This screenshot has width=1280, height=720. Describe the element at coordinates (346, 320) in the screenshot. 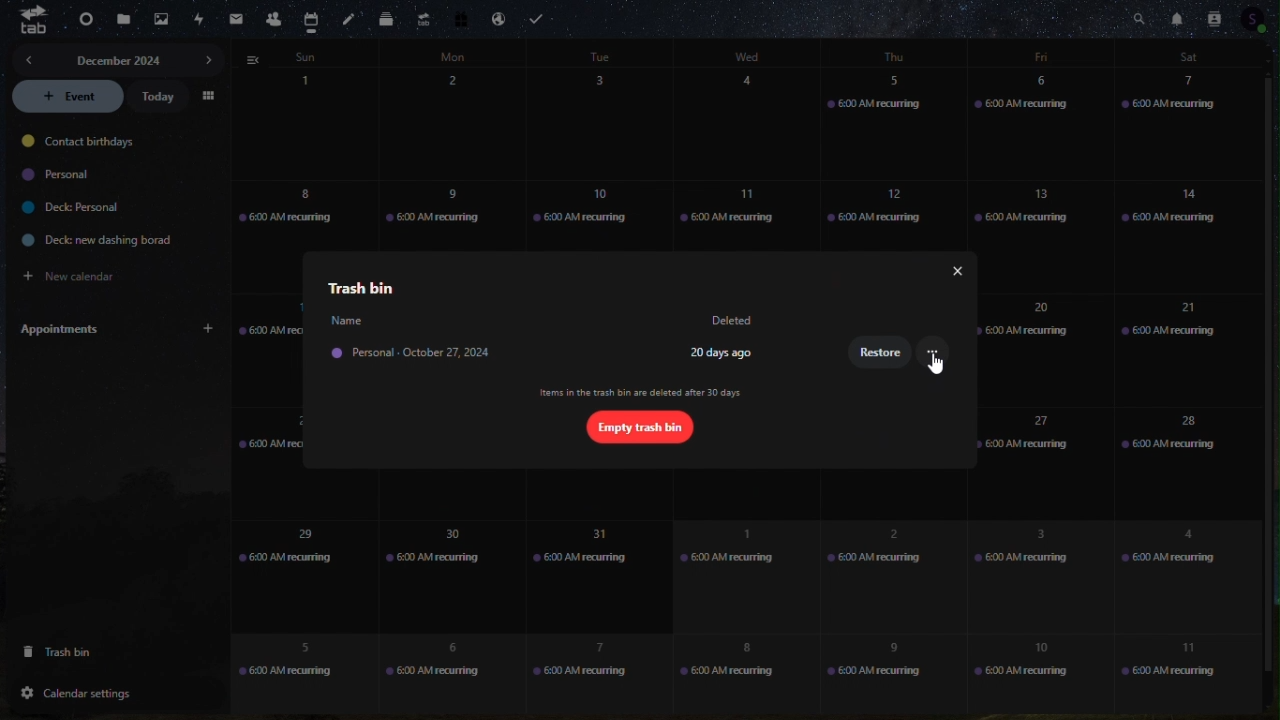

I see `John Smith` at that location.